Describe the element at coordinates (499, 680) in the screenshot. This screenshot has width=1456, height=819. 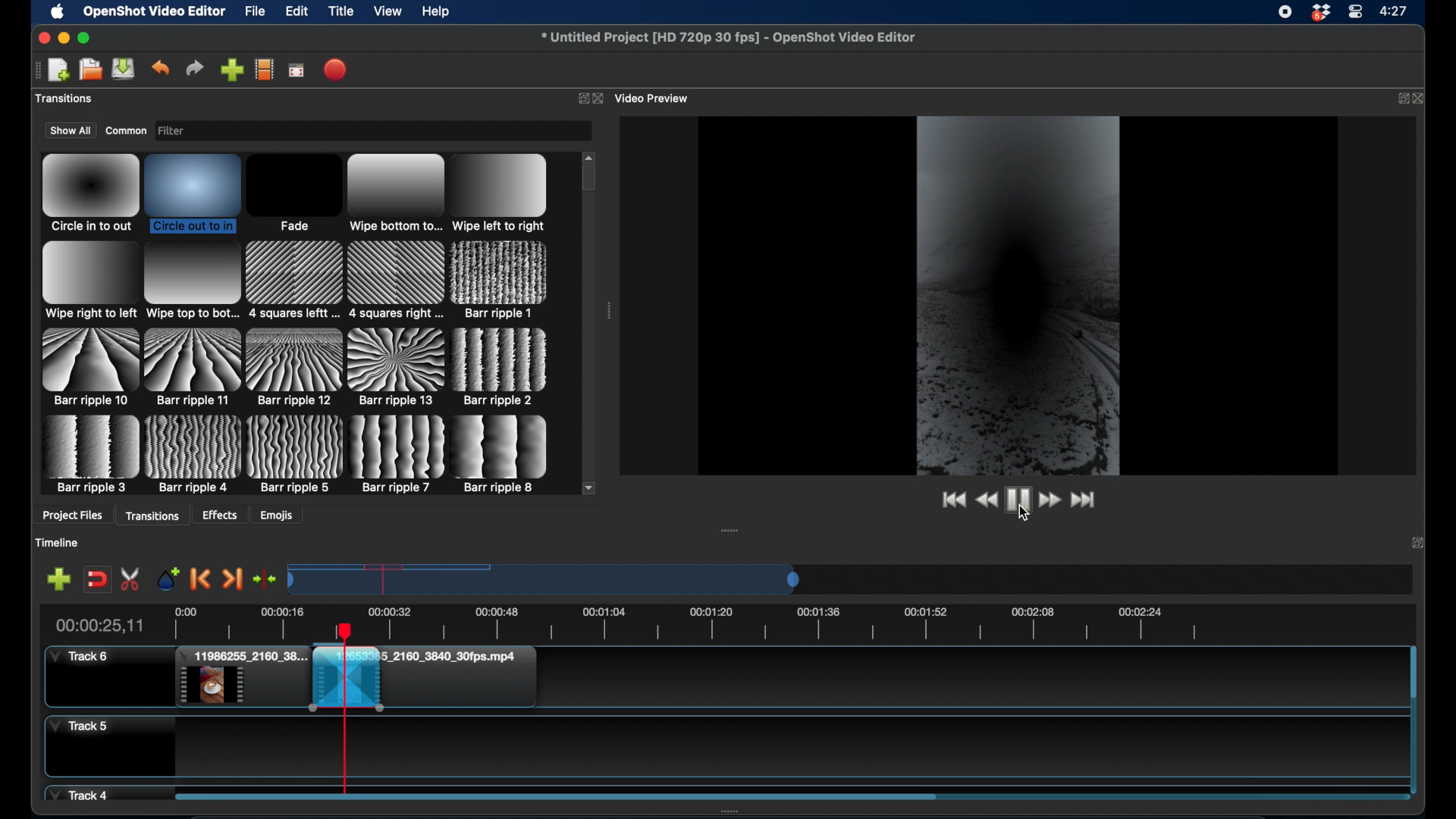
I see `clip` at that location.